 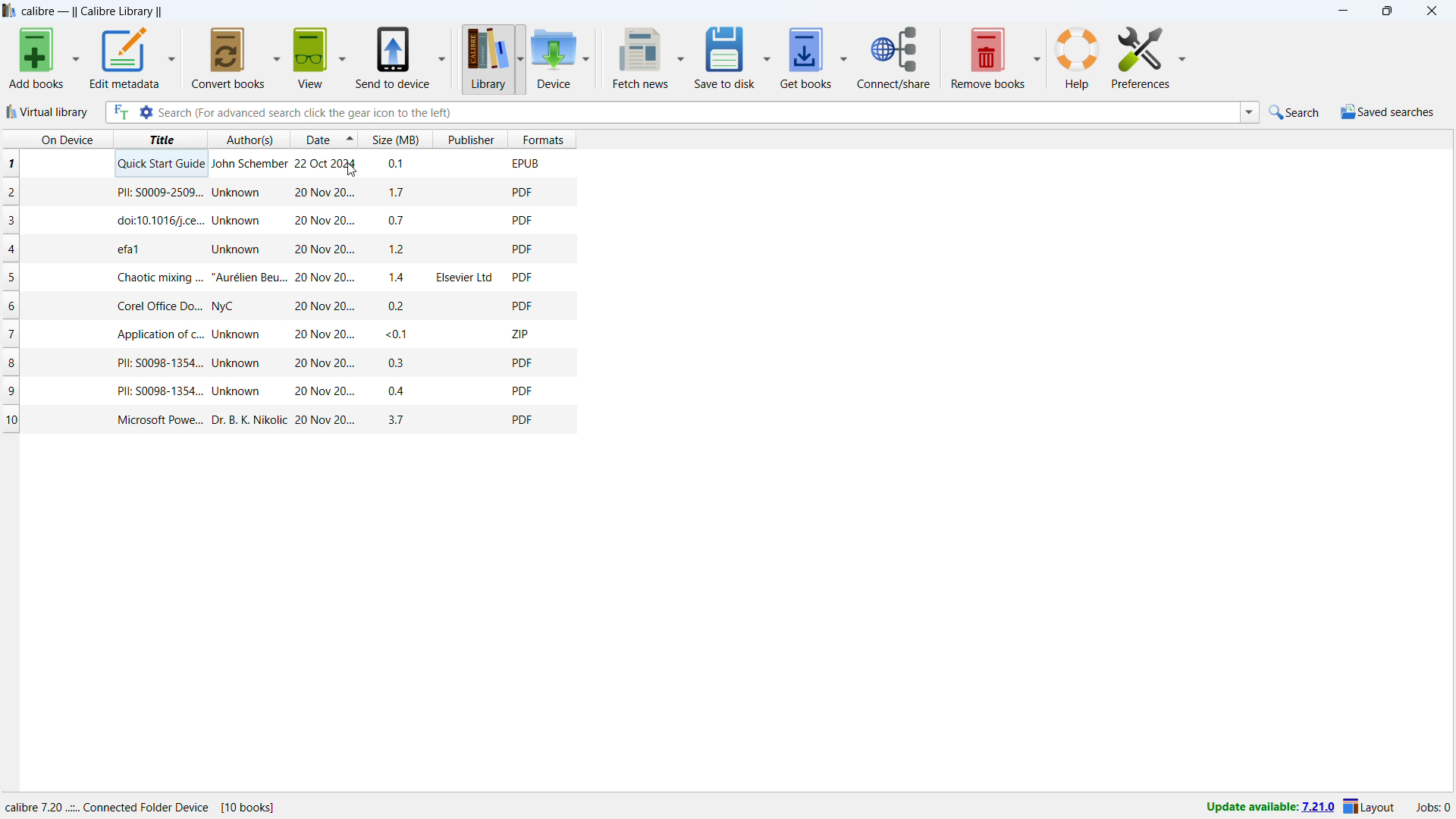 I want to click on one book entry, so click(x=289, y=363).